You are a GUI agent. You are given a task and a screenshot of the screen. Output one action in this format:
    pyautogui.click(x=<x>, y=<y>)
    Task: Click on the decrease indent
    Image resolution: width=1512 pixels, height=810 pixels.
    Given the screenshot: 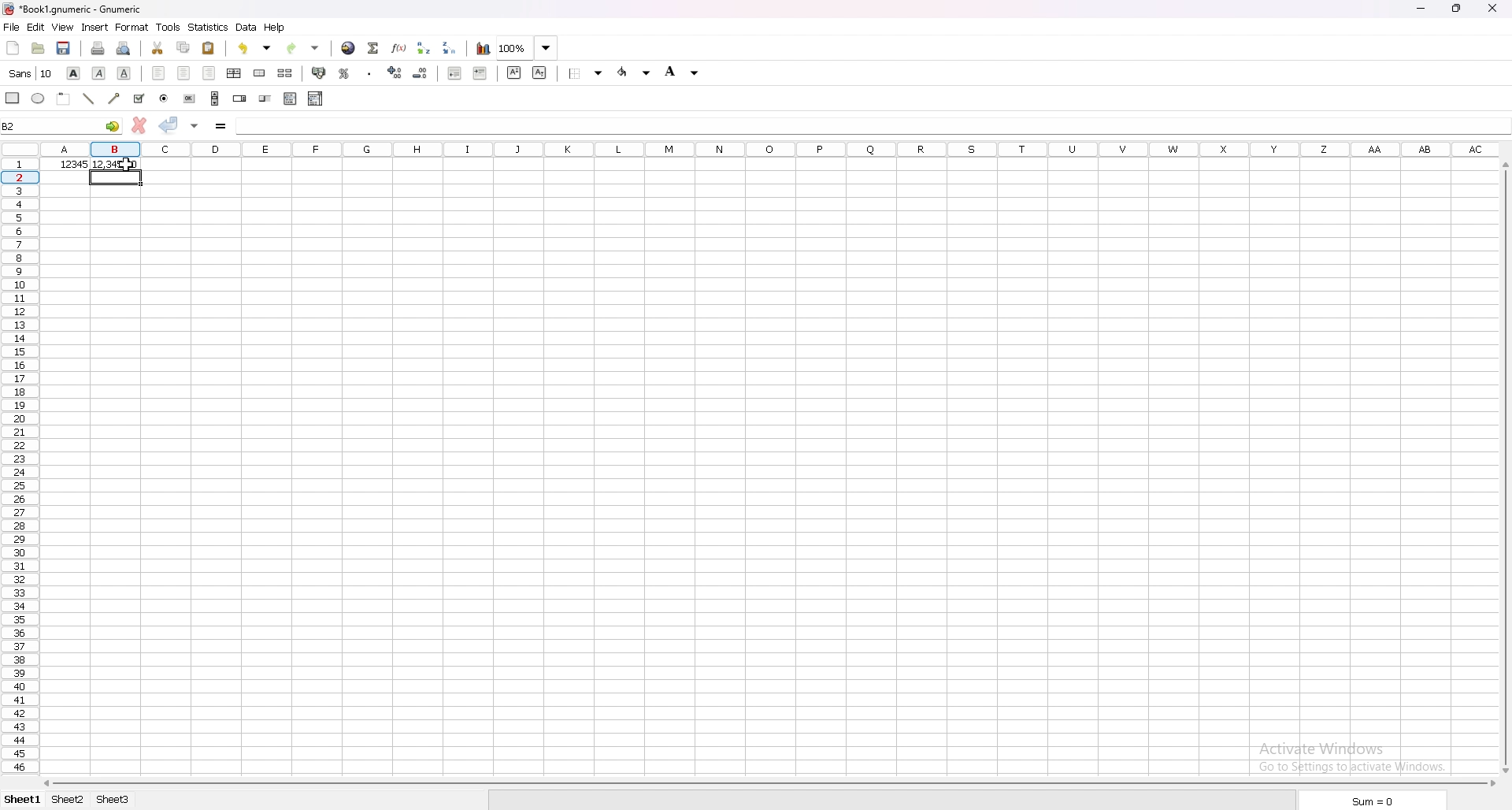 What is the action you would take?
    pyautogui.click(x=456, y=72)
    